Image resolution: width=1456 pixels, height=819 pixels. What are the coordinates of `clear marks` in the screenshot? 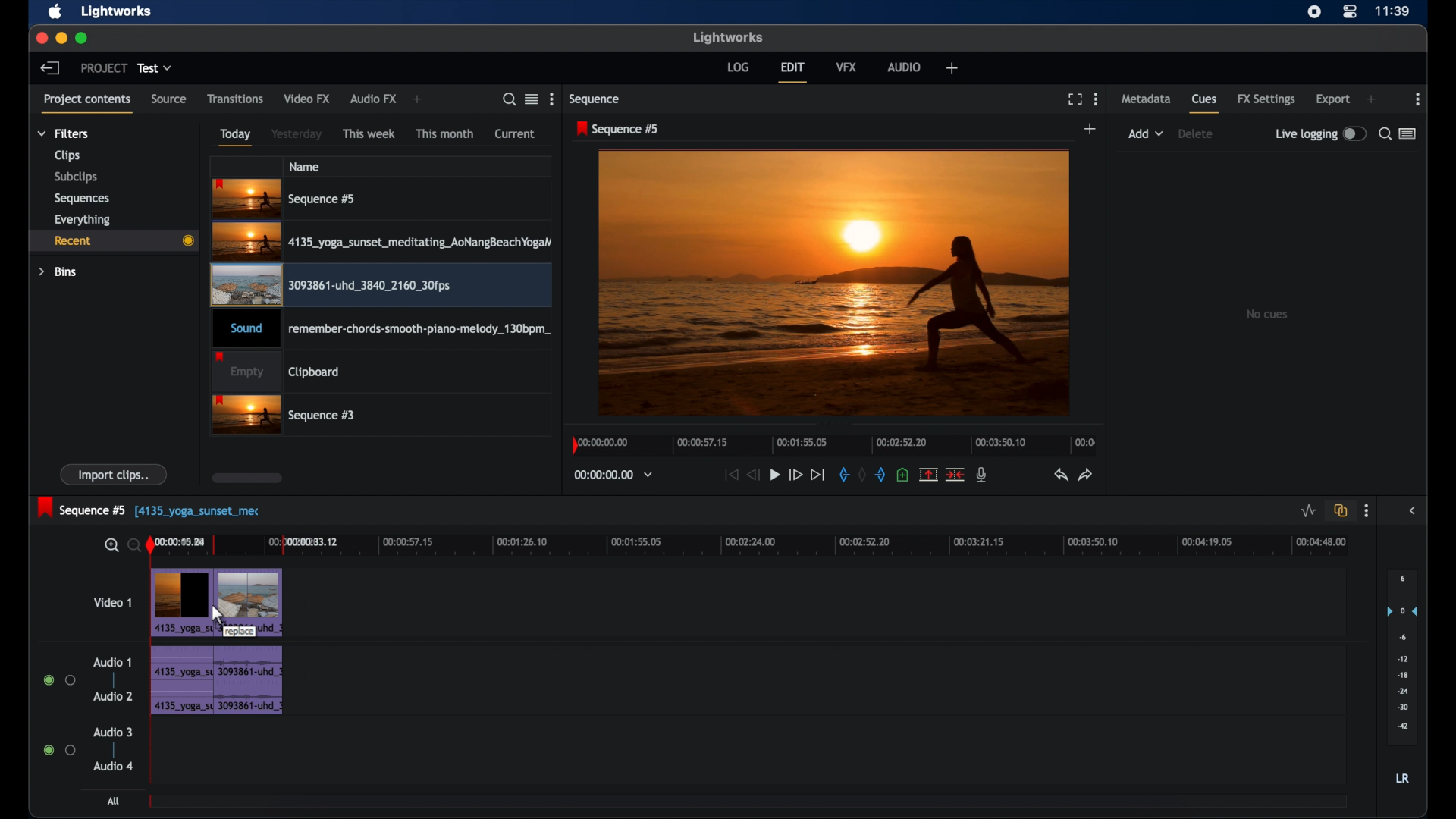 It's located at (861, 474).